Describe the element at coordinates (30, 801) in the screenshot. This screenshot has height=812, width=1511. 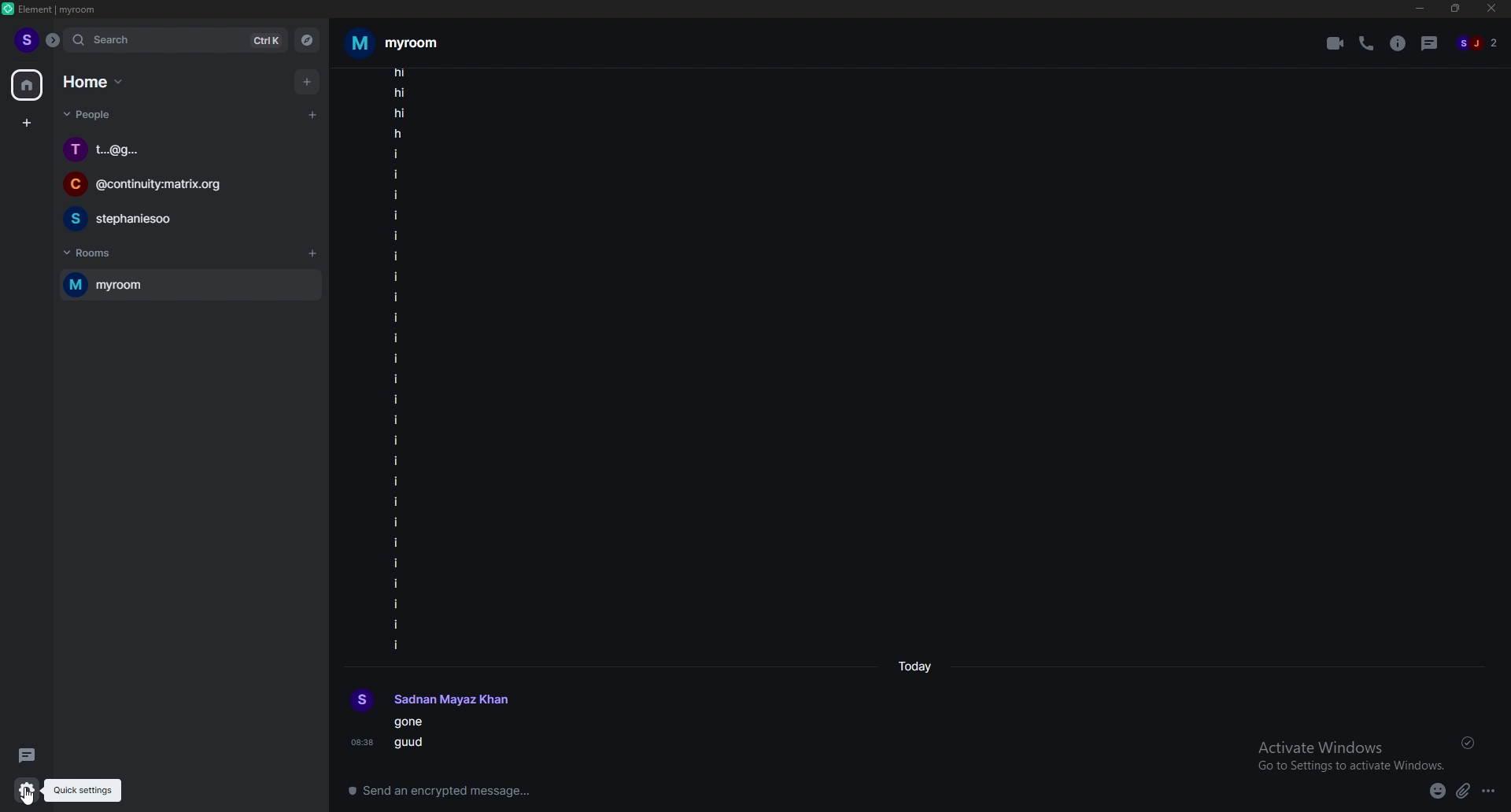
I see `cursor` at that location.